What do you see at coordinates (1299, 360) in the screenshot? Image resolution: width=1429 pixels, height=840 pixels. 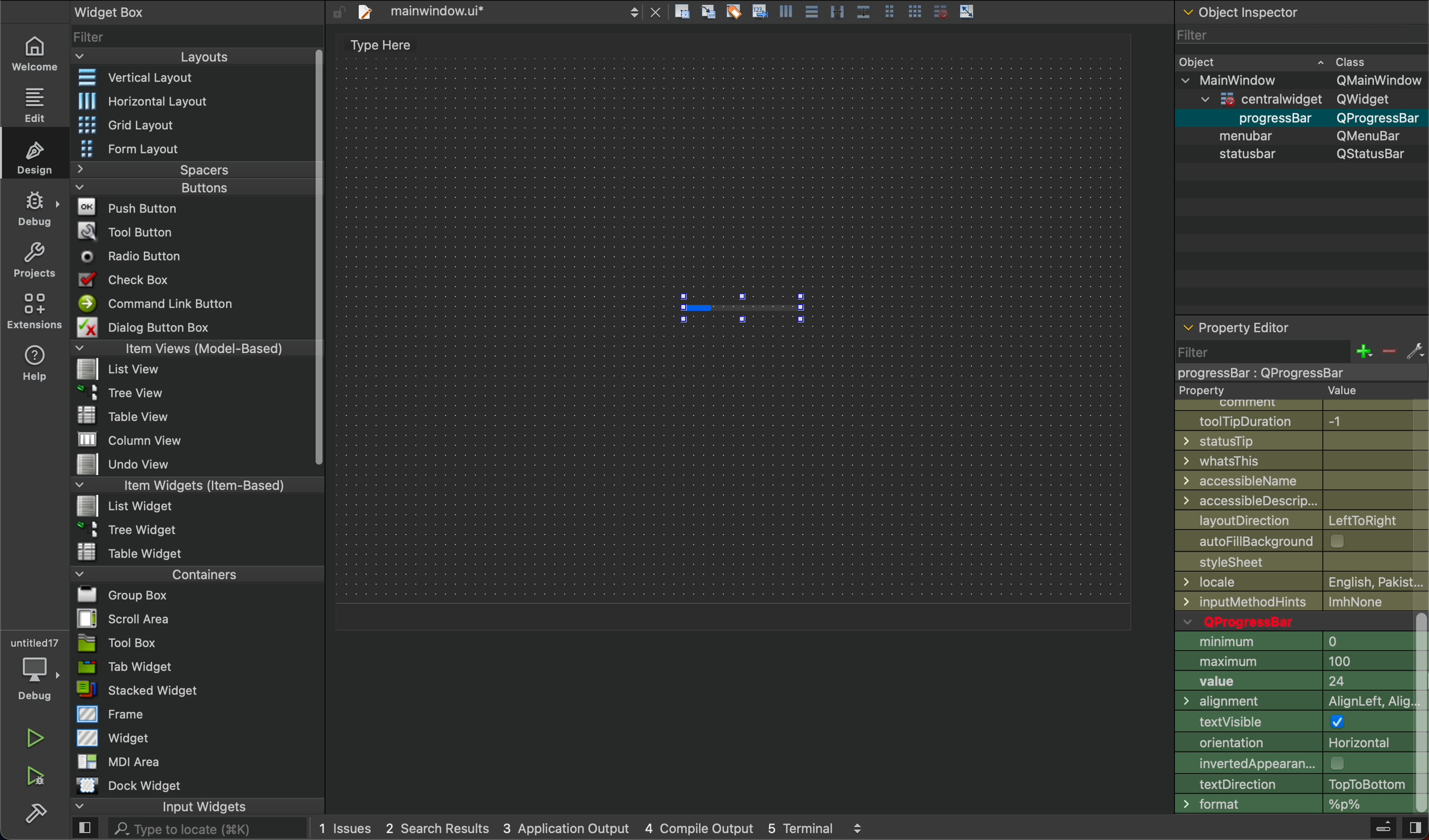 I see `filter` at bounding box center [1299, 360].